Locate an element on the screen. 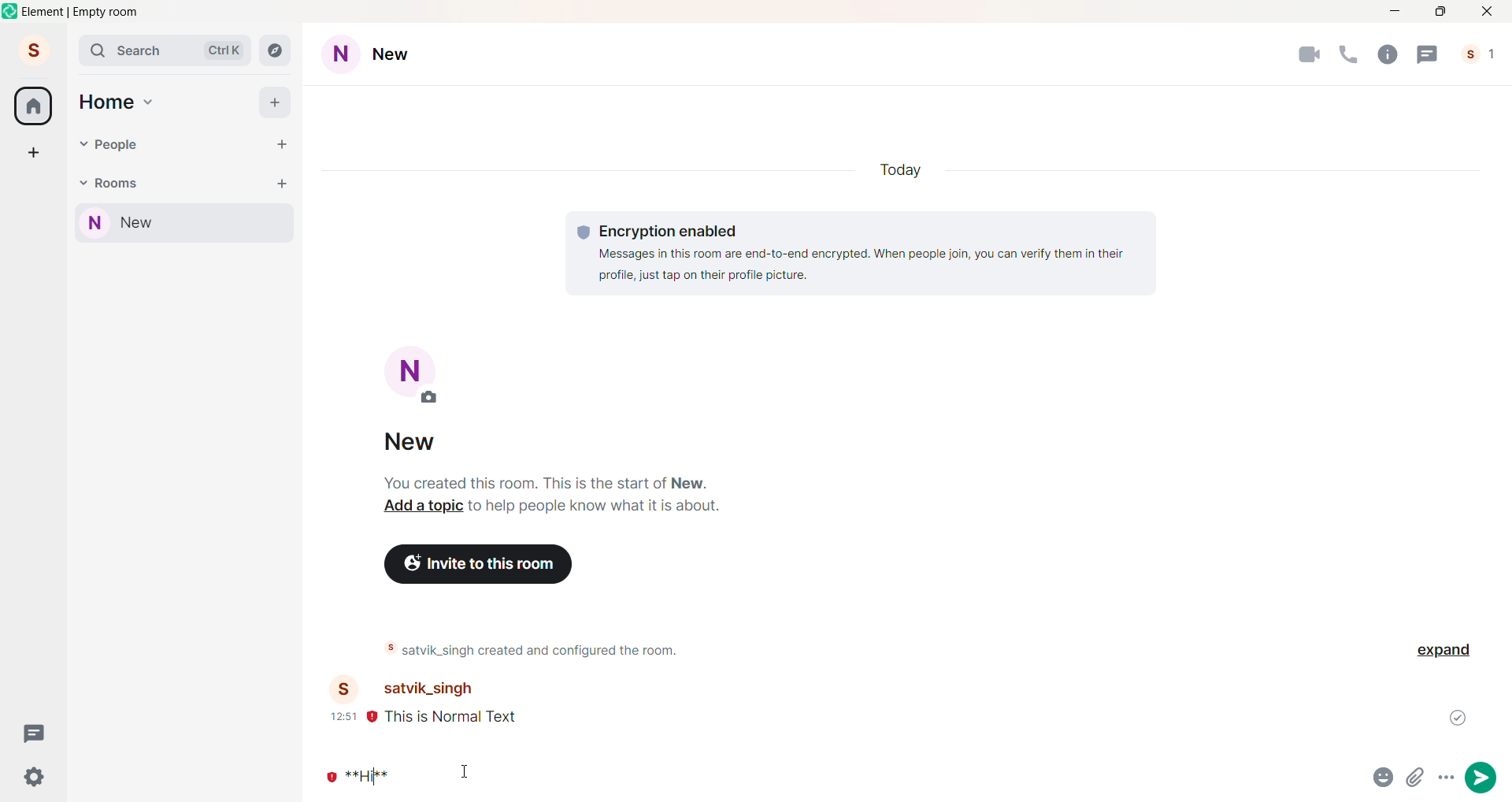 This screenshot has width=1512, height=802. People is located at coordinates (1482, 54).